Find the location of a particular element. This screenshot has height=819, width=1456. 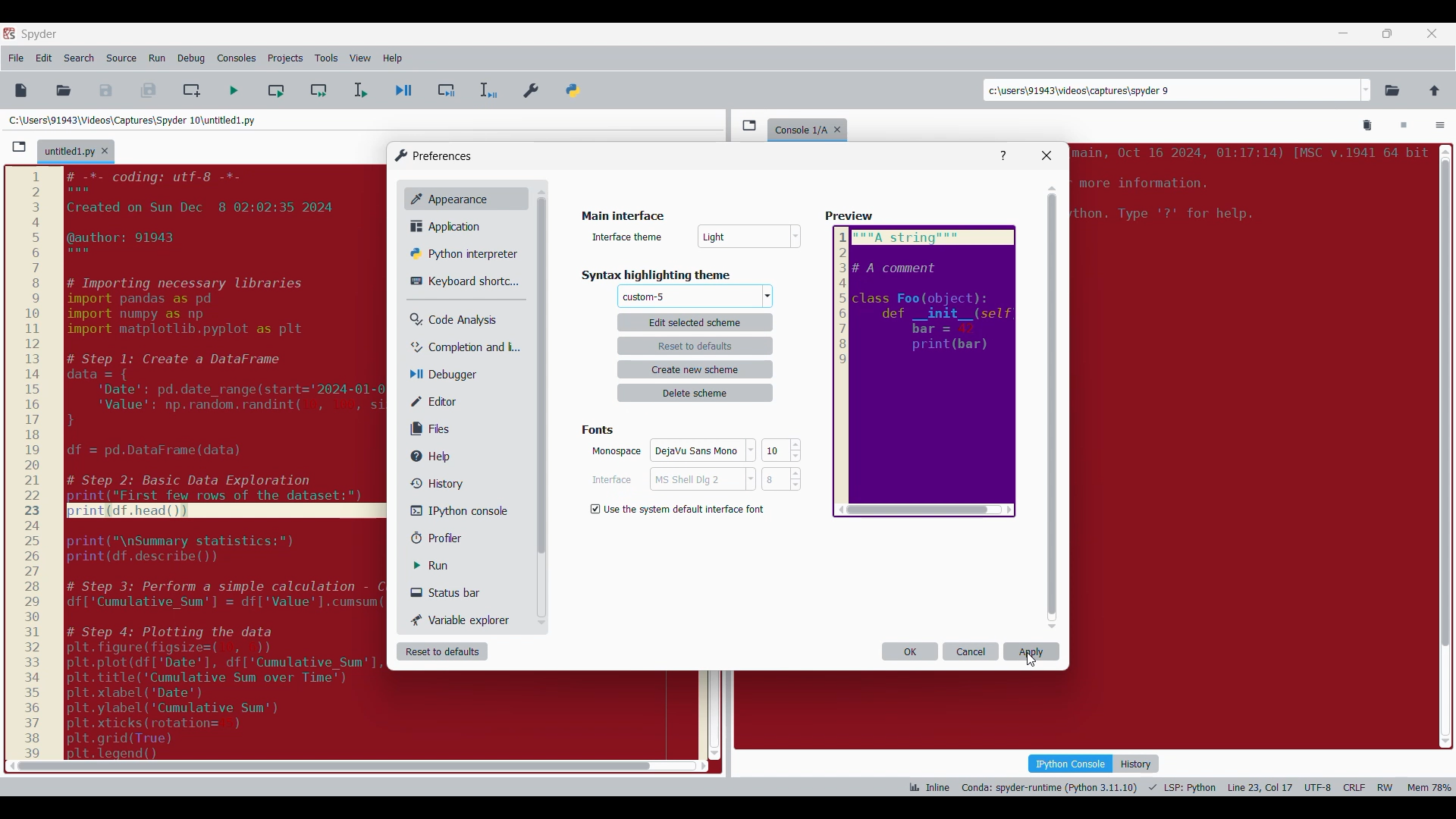

Debug file is located at coordinates (404, 91).